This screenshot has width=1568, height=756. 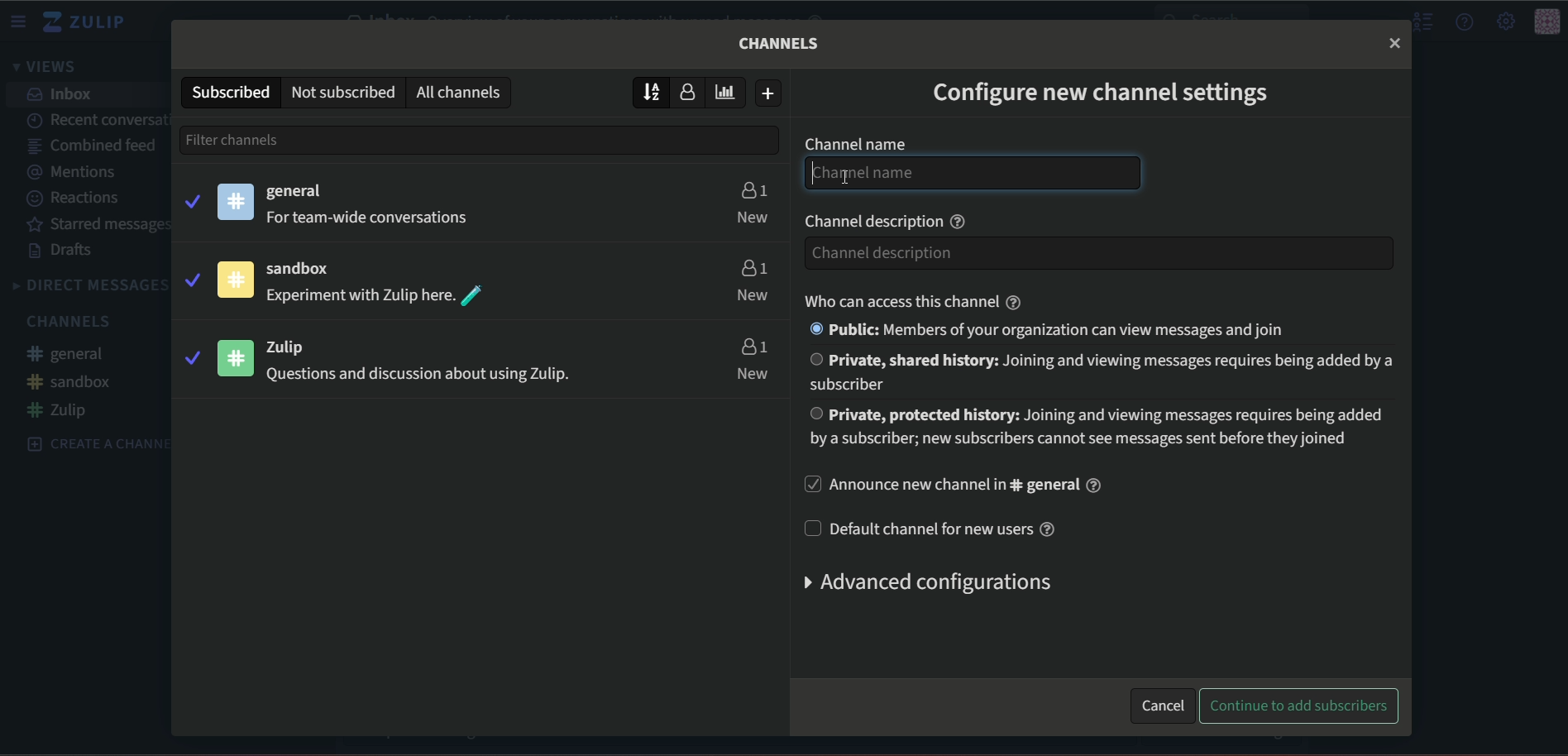 I want to click on Channels, so click(x=781, y=43).